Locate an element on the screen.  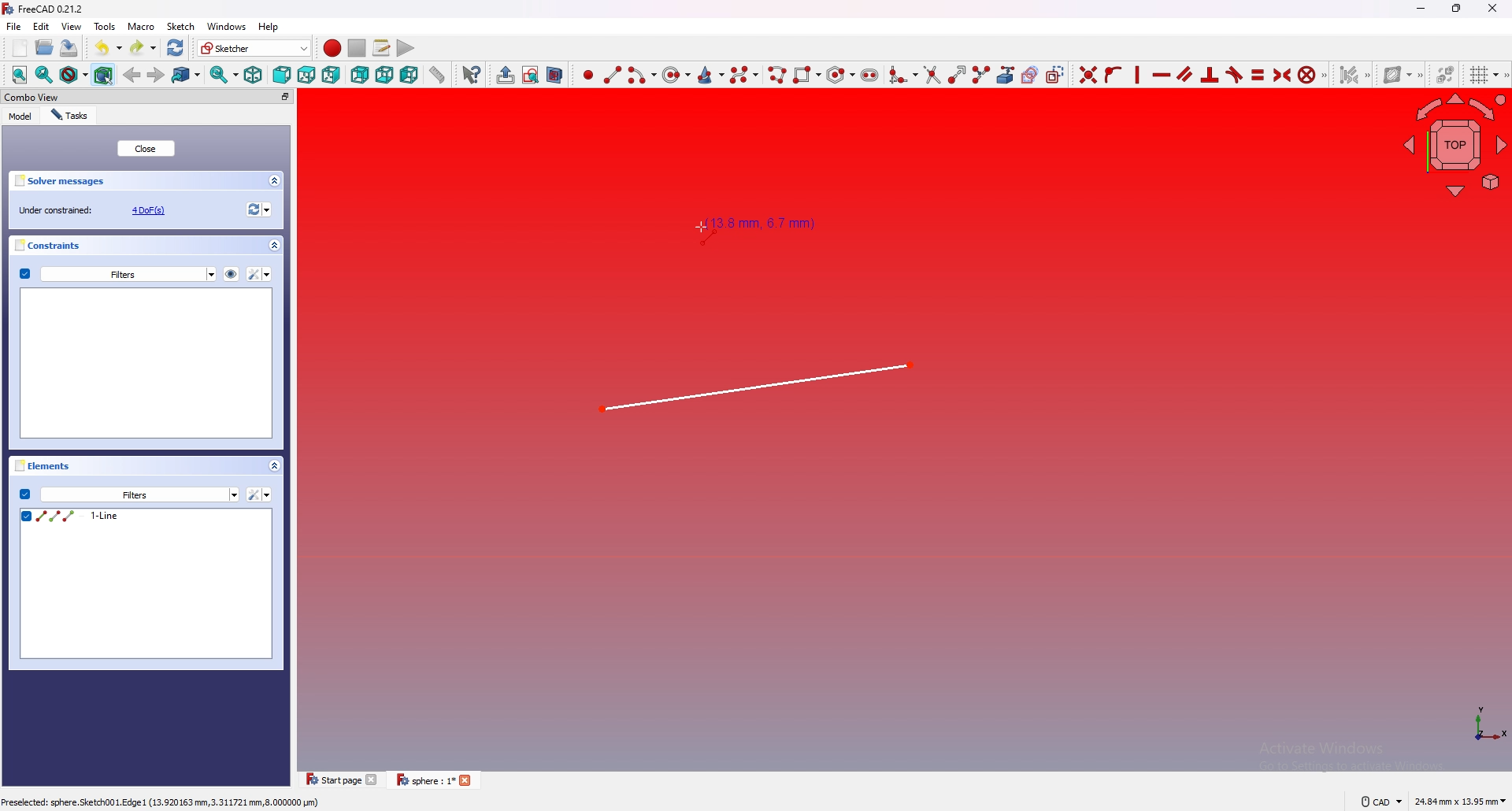
Model is located at coordinates (20, 116).